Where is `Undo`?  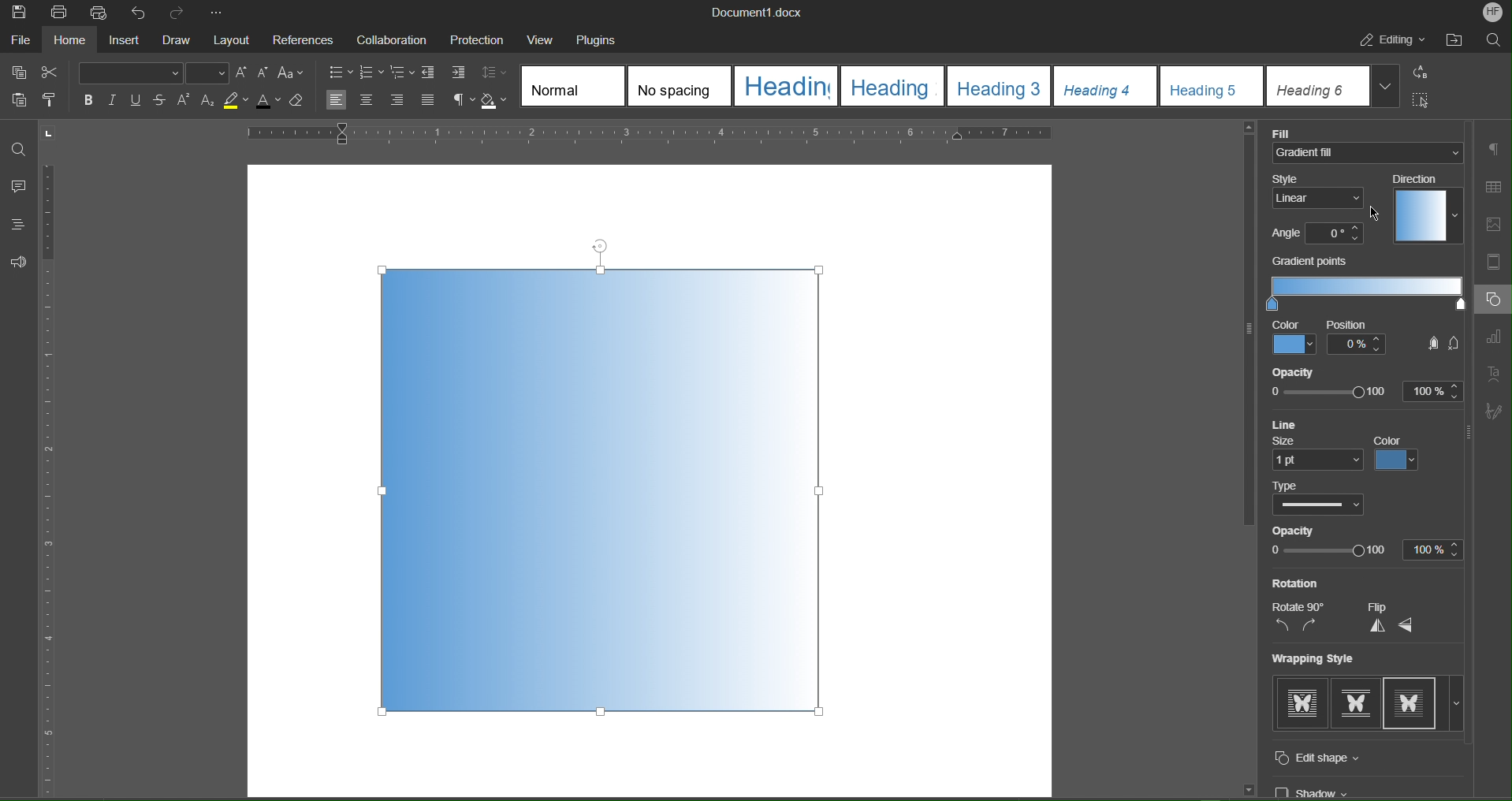 Undo is located at coordinates (140, 13).